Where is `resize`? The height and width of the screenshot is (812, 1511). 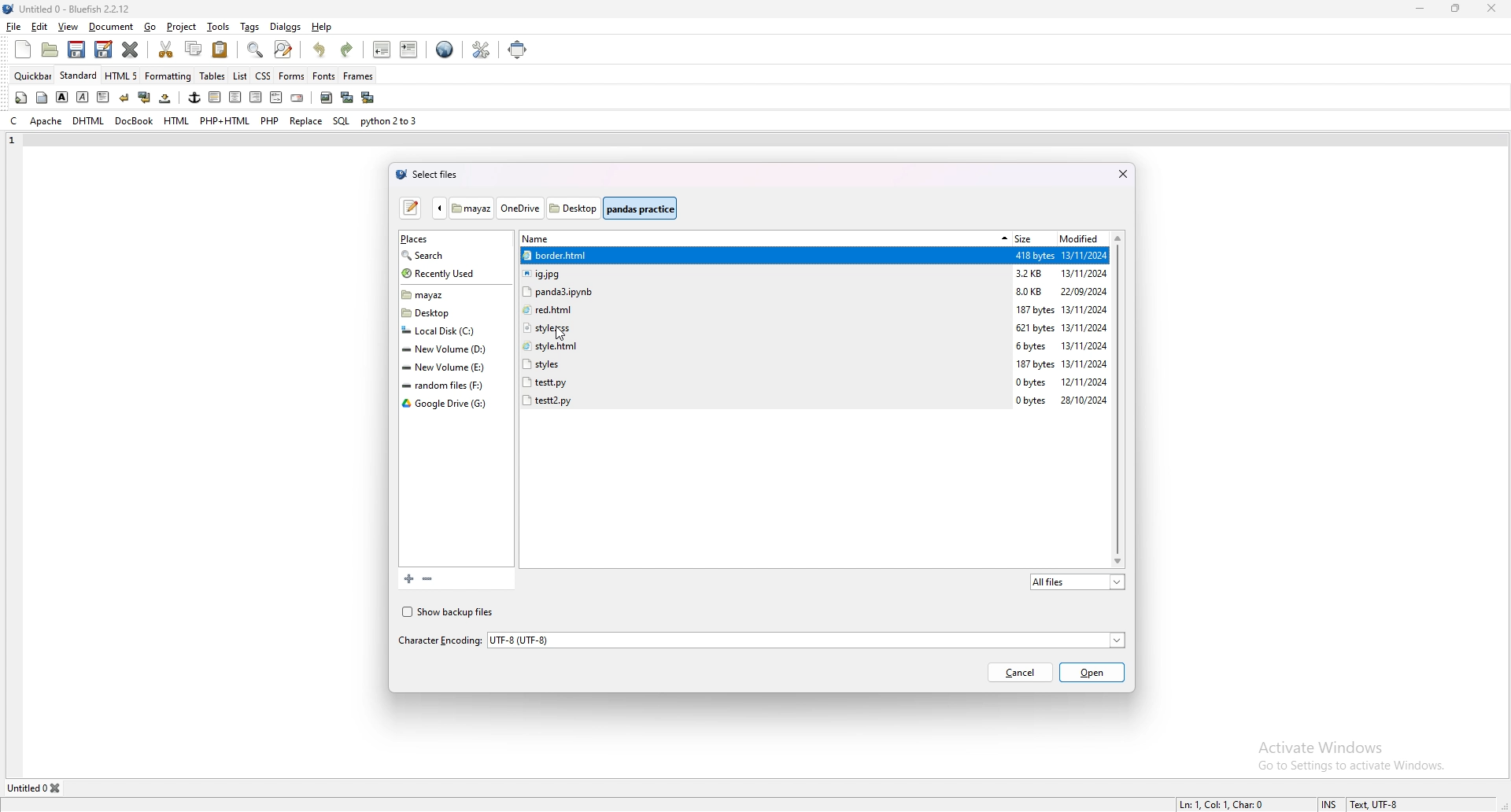
resize is located at coordinates (1456, 8).